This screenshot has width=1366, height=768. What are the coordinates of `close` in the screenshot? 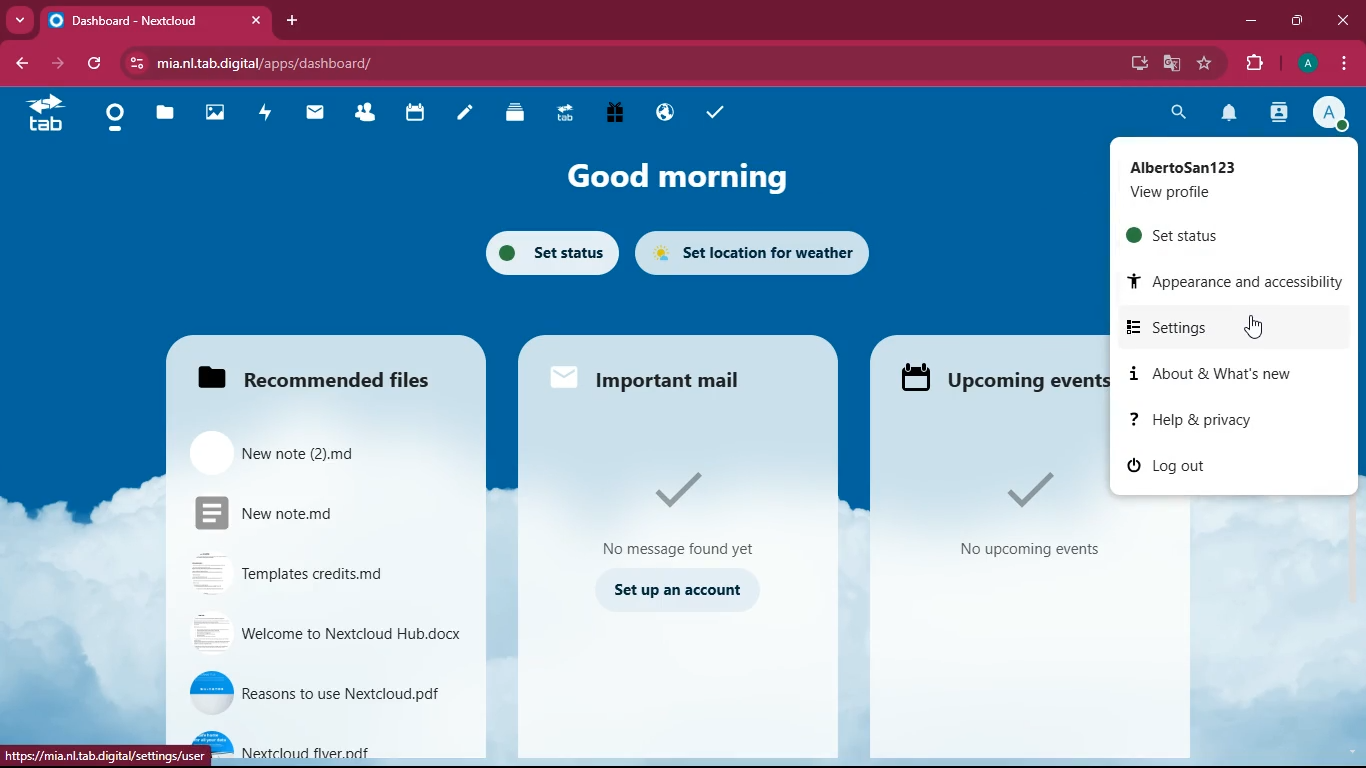 It's located at (253, 21).